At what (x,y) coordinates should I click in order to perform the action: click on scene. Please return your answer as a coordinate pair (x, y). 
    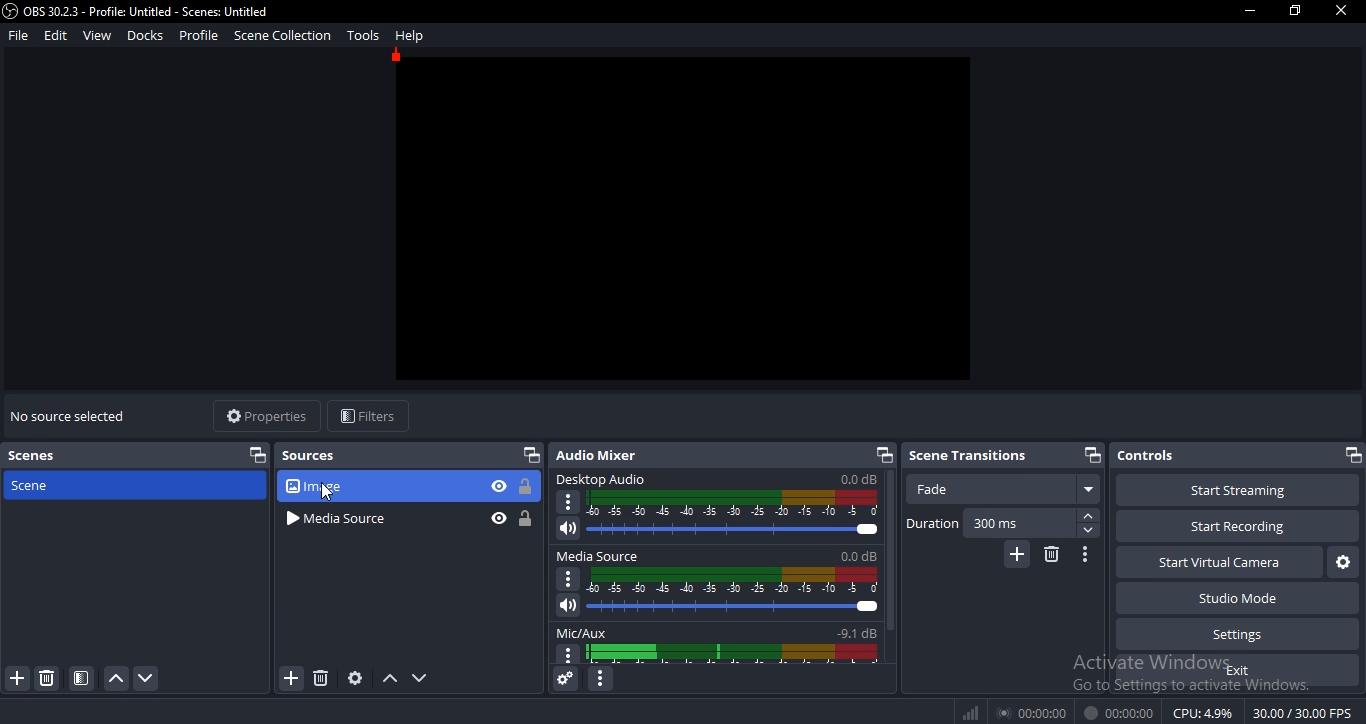
    Looking at the image, I should click on (33, 455).